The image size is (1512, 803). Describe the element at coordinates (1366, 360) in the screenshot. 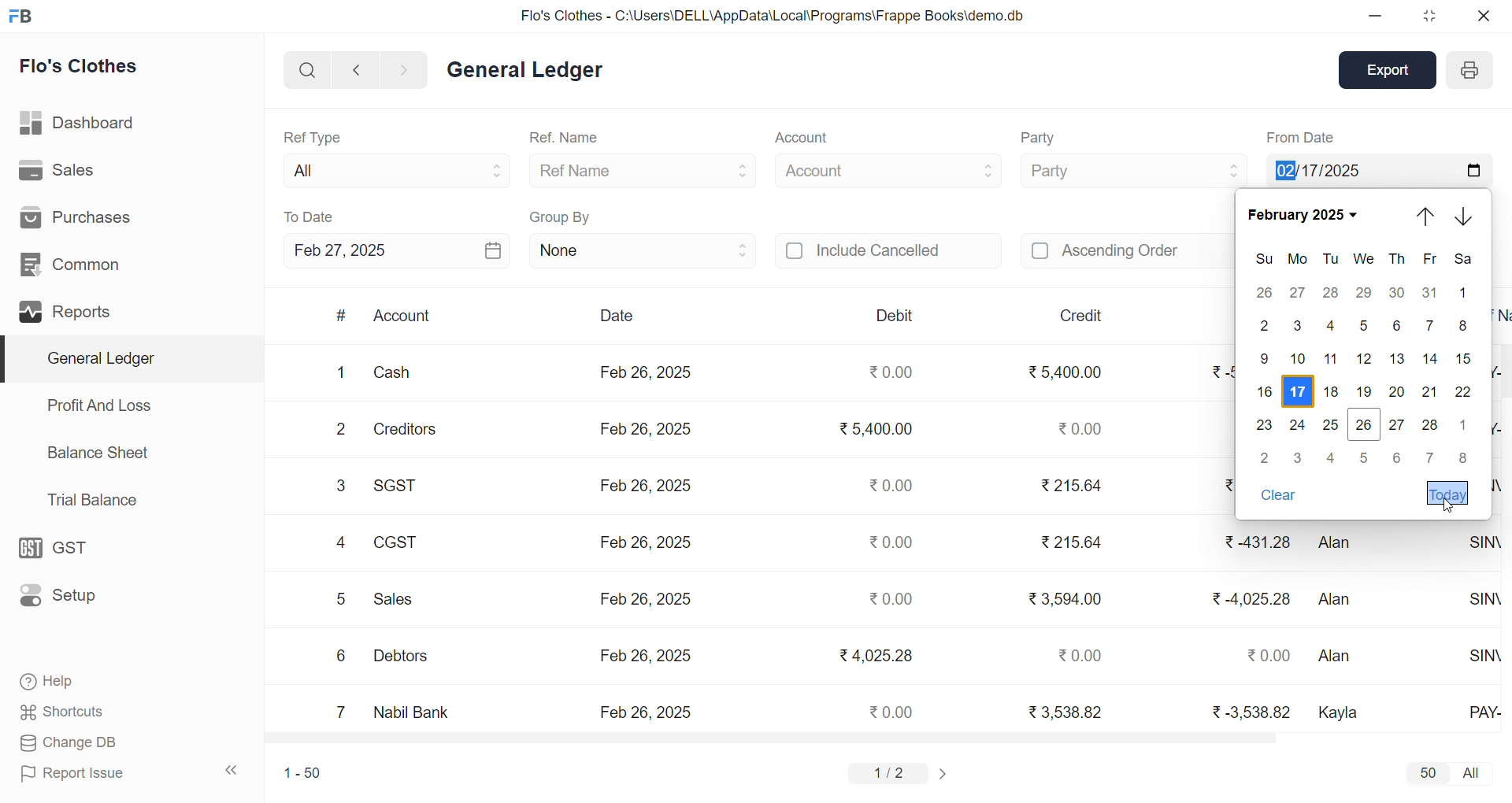

I see `12` at that location.